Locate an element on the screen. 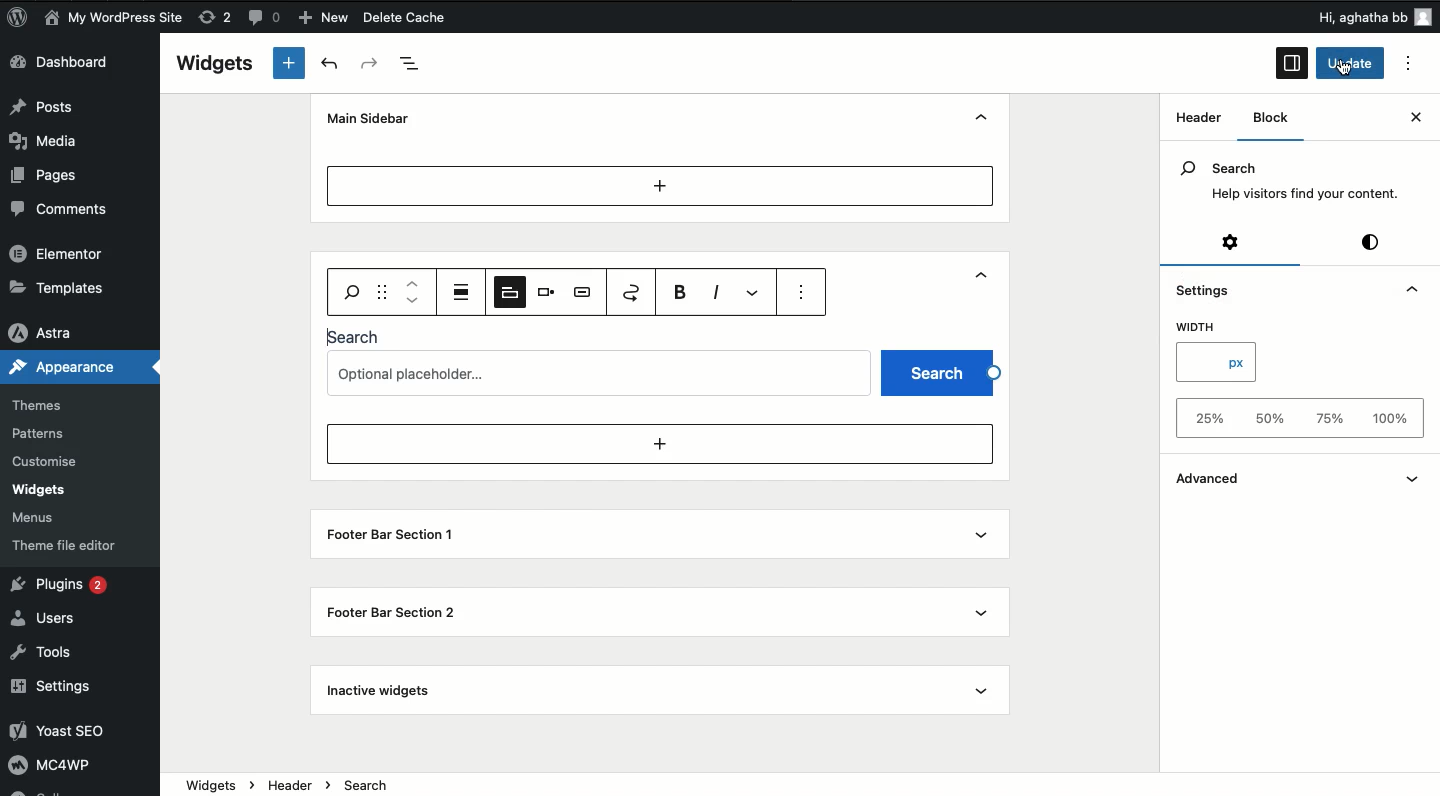  Customise is located at coordinates (49, 460).